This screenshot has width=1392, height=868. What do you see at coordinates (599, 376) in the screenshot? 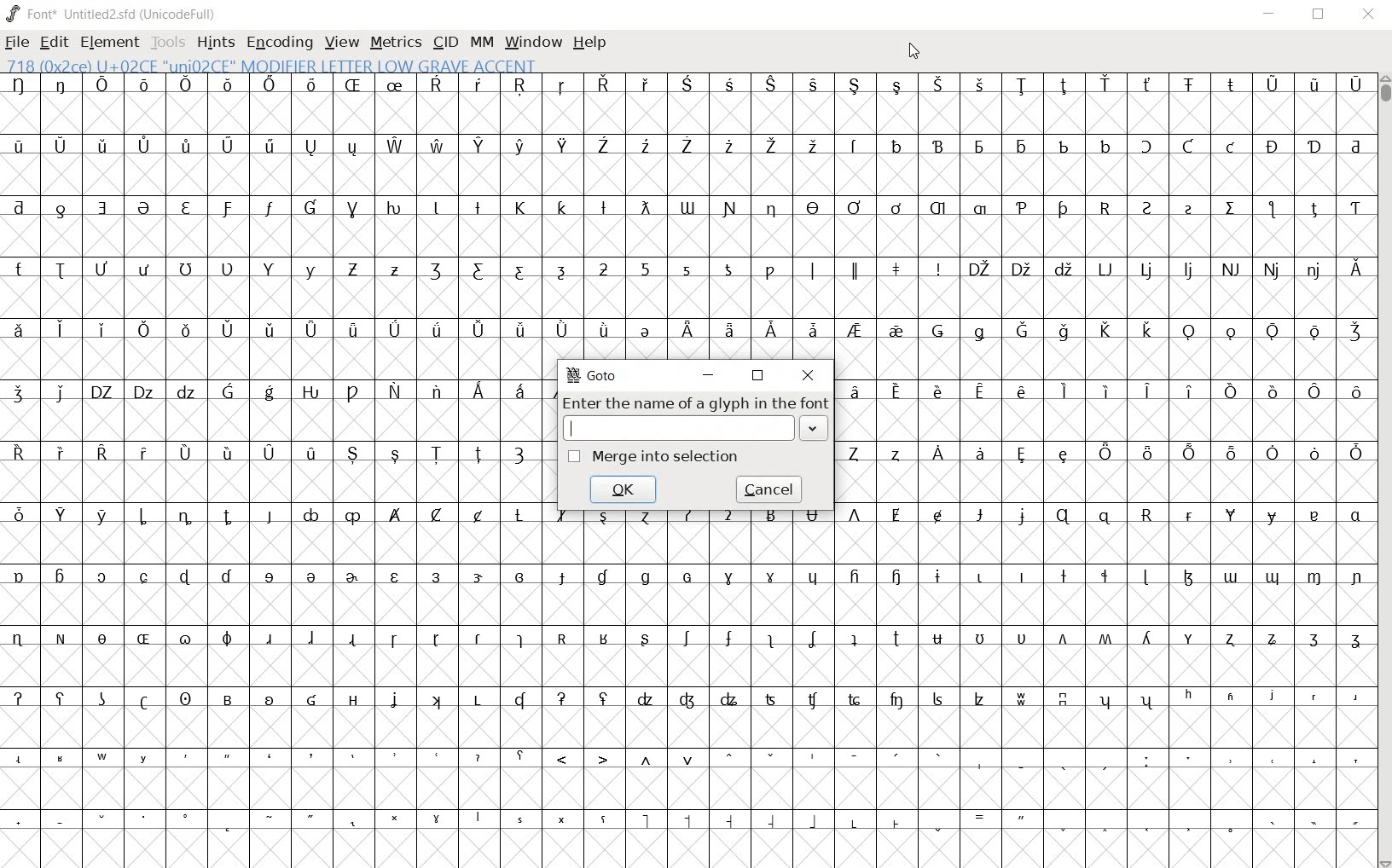
I see `GoTo` at bounding box center [599, 376].